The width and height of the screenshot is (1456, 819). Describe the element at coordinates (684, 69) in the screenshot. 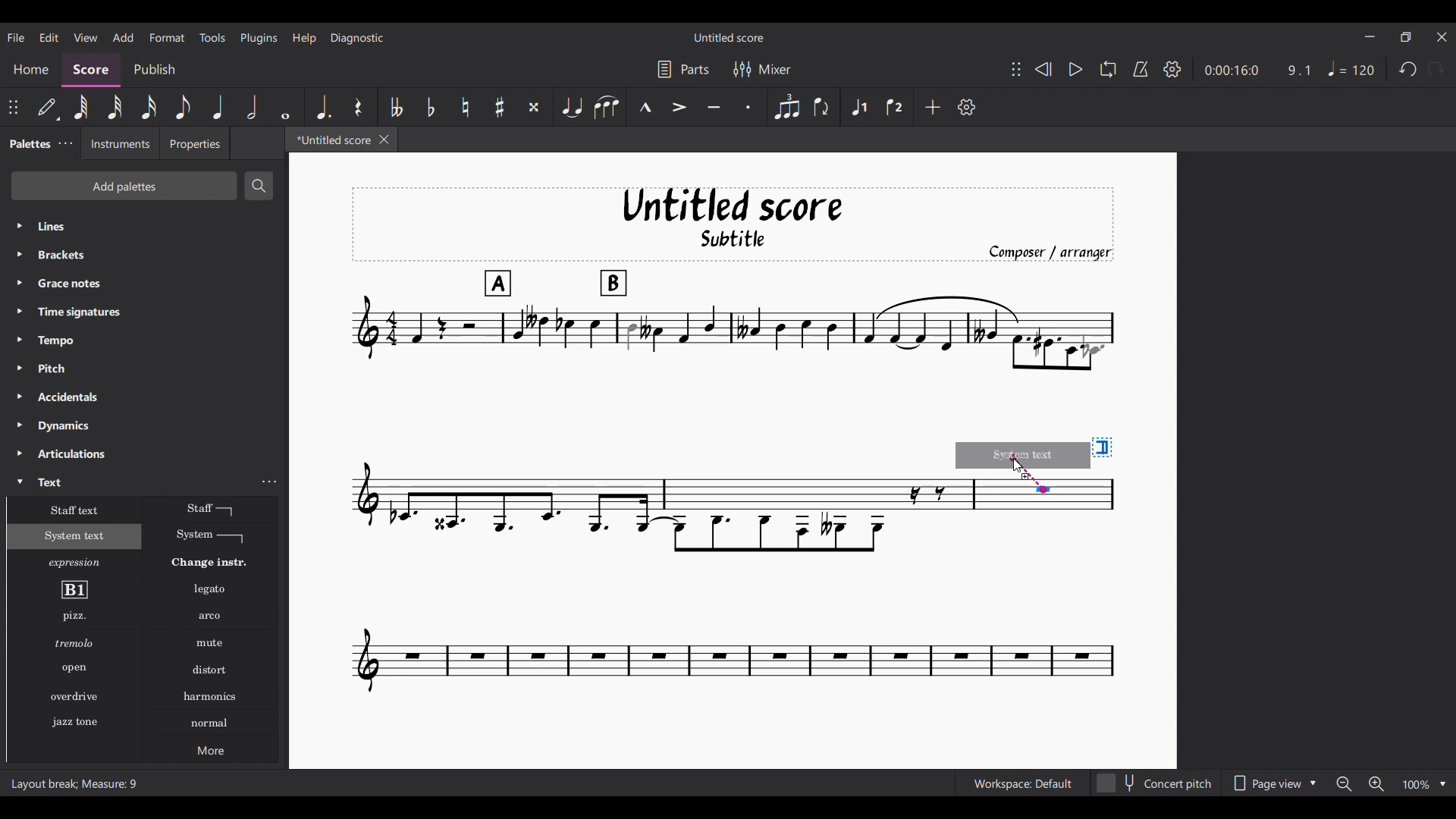

I see `Parts settings` at that location.